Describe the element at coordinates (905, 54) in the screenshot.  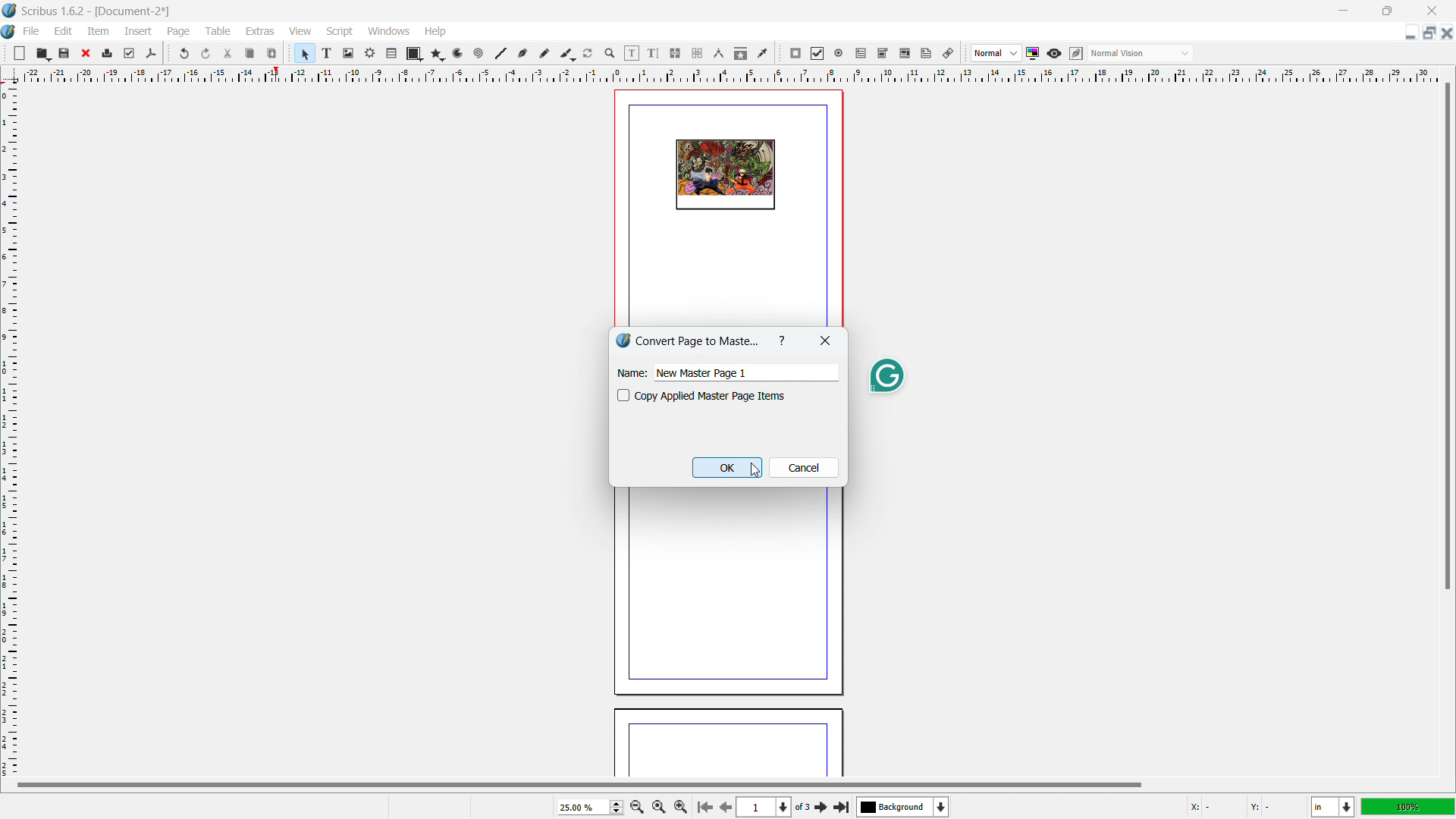
I see `pdf list box` at that location.